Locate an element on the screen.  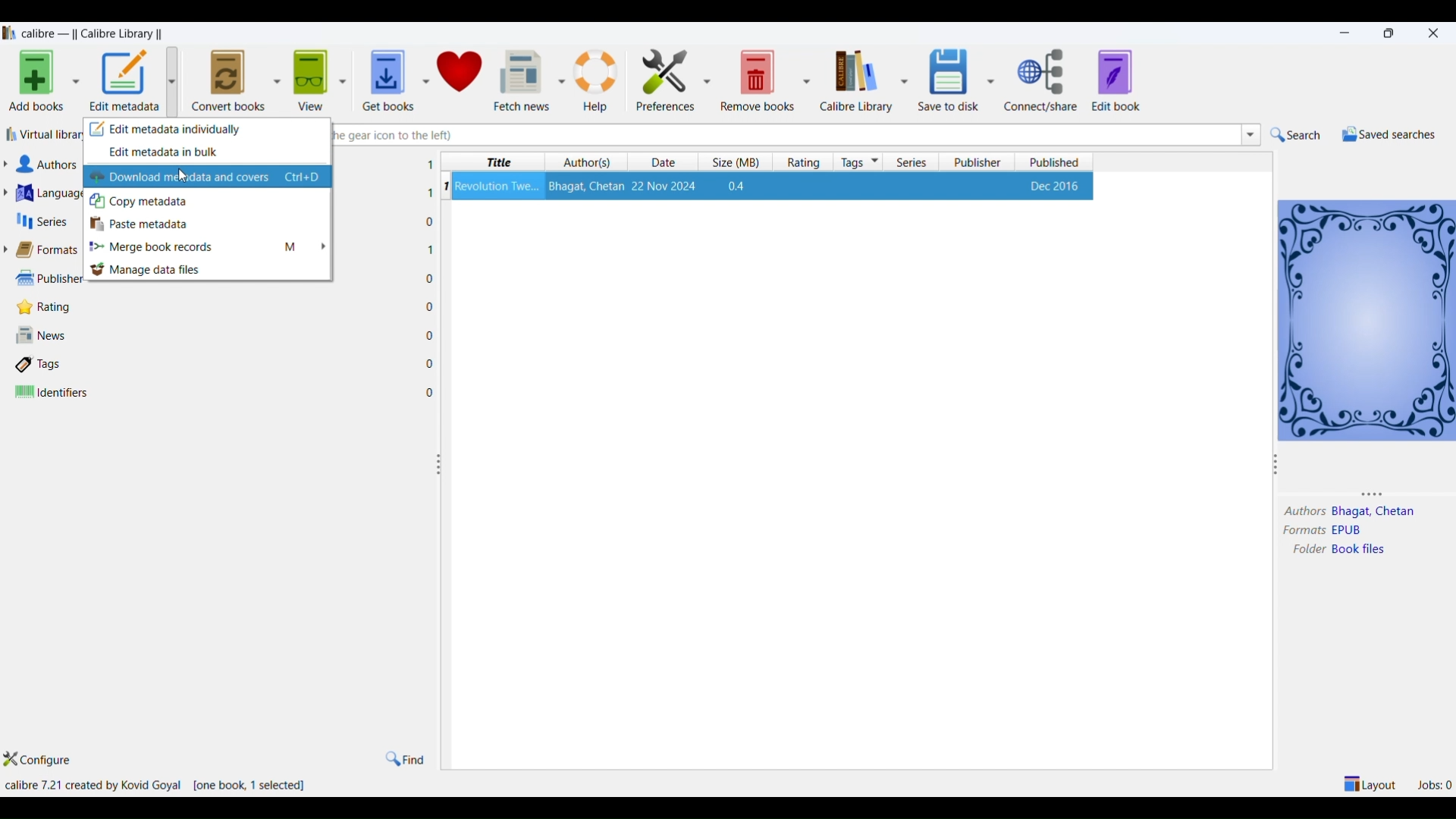
search is located at coordinates (1296, 135).